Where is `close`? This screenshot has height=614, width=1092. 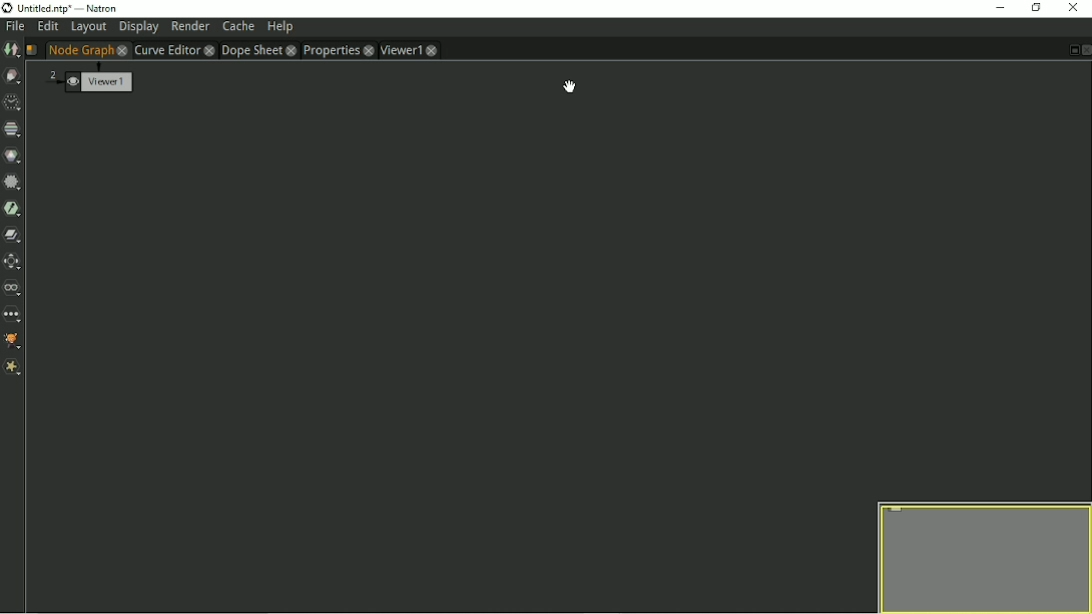
close is located at coordinates (436, 50).